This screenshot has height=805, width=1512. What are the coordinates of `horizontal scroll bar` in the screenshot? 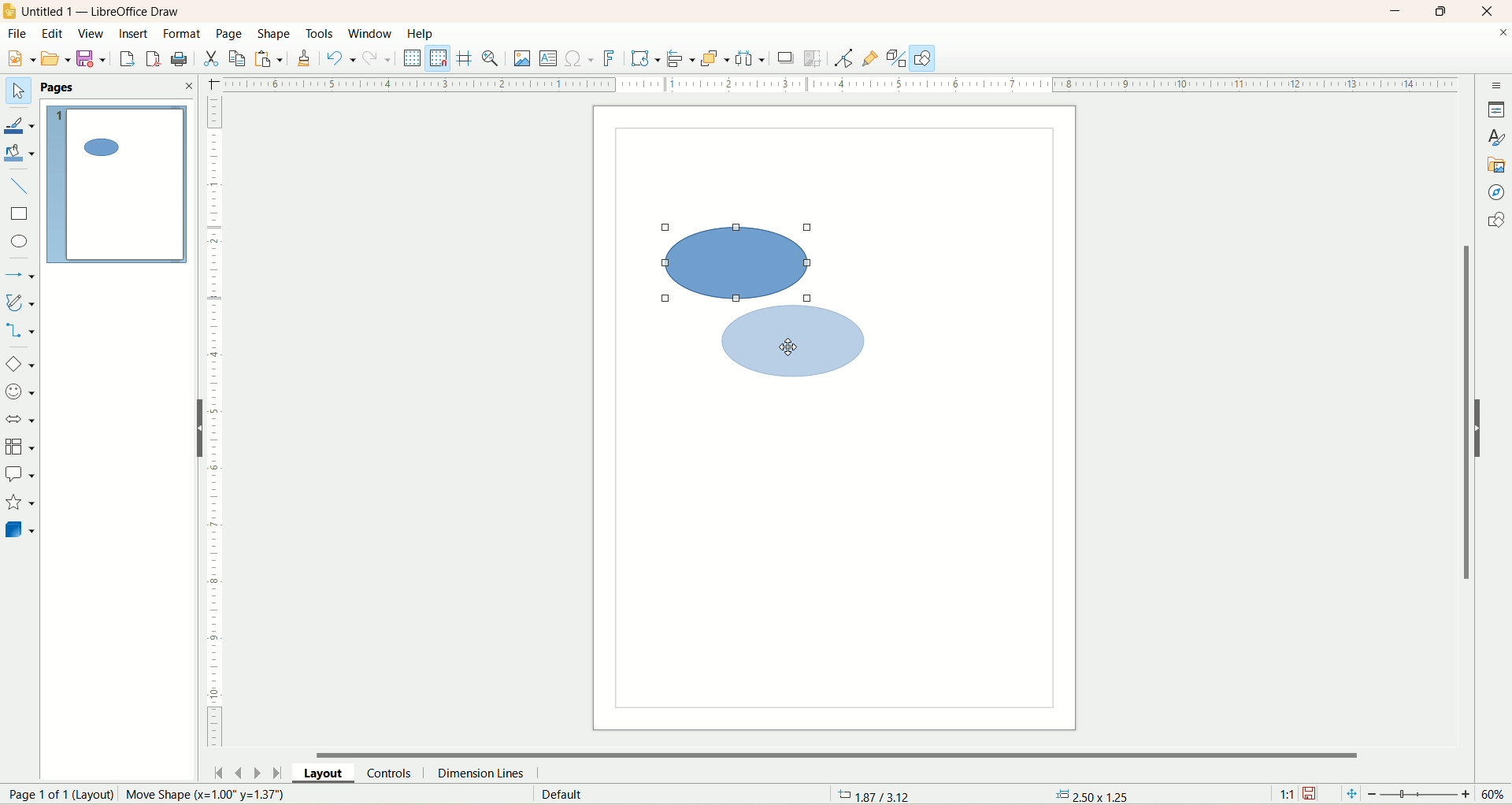 It's located at (843, 751).